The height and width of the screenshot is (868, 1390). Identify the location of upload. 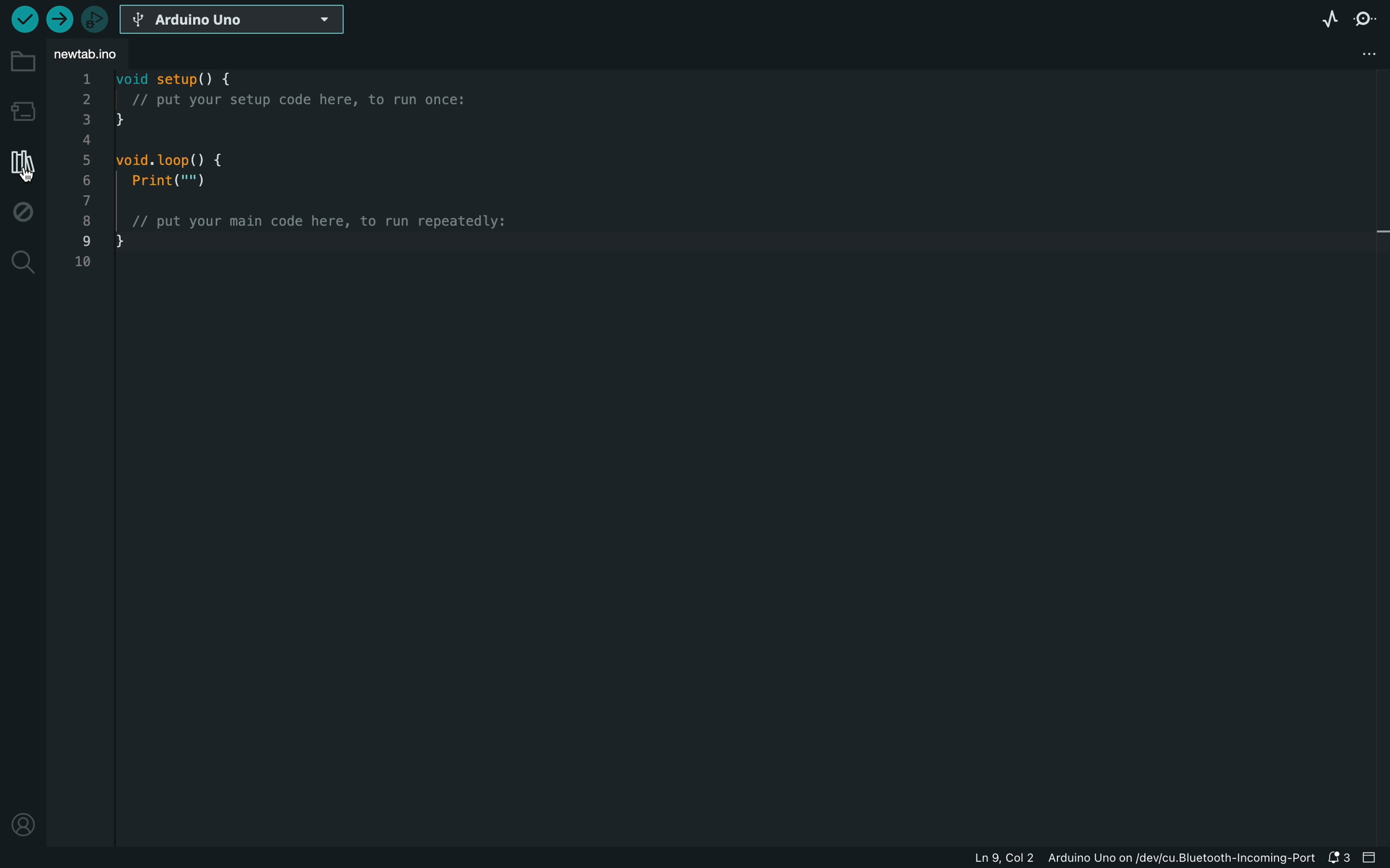
(59, 18).